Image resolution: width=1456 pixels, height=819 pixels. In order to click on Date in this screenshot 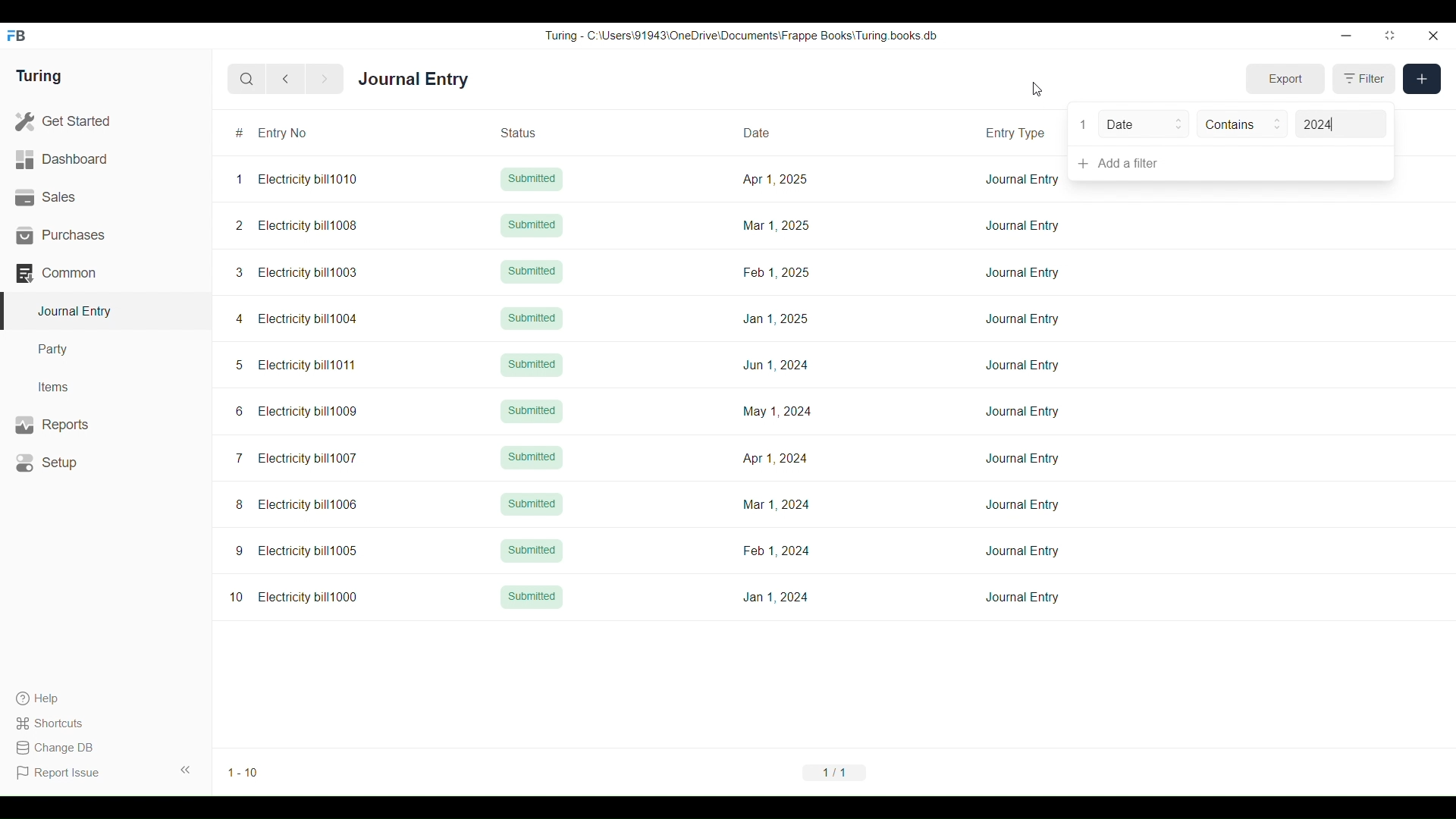, I will do `click(1144, 124)`.